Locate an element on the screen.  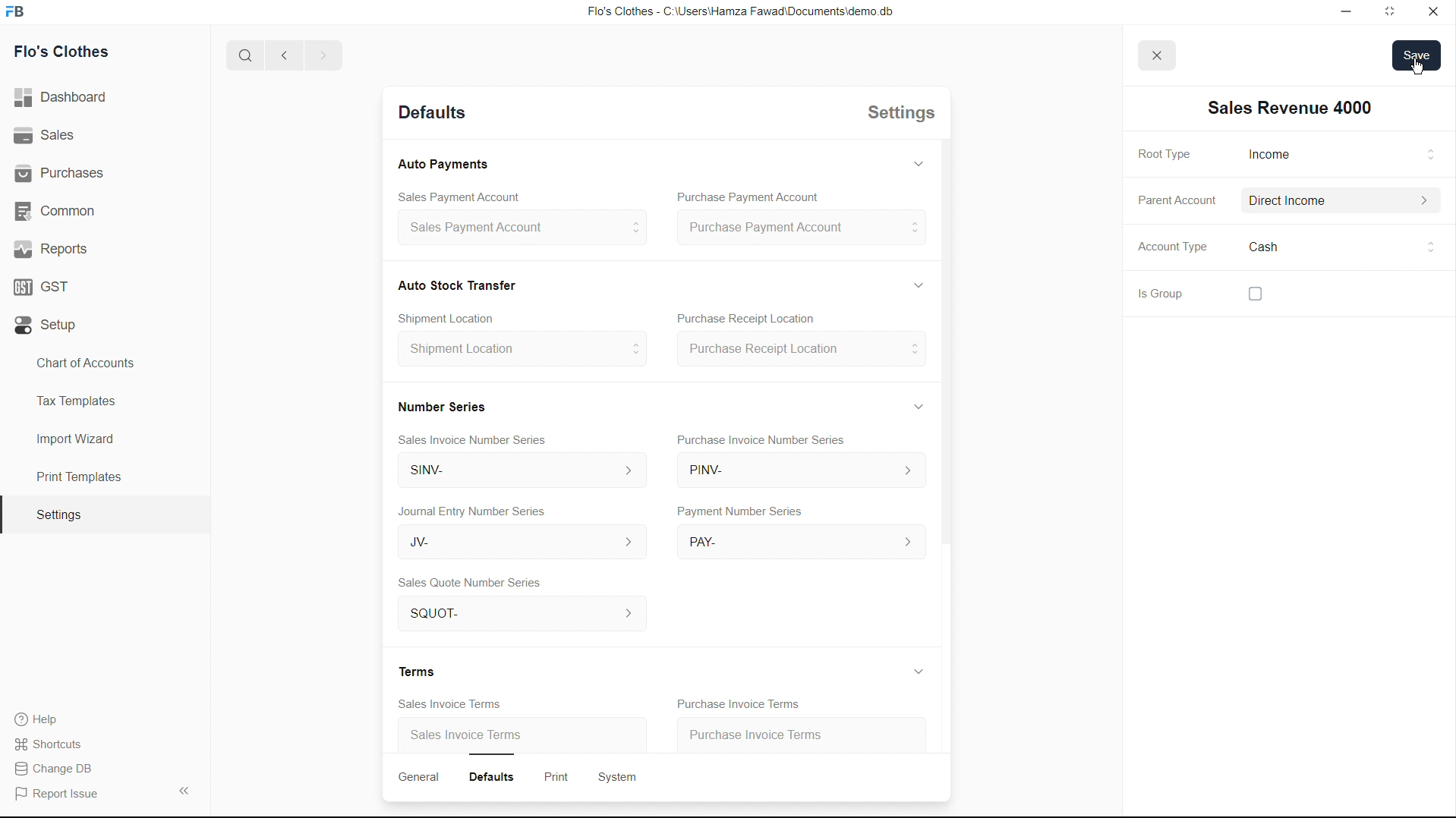
Detaults is located at coordinates (430, 114).